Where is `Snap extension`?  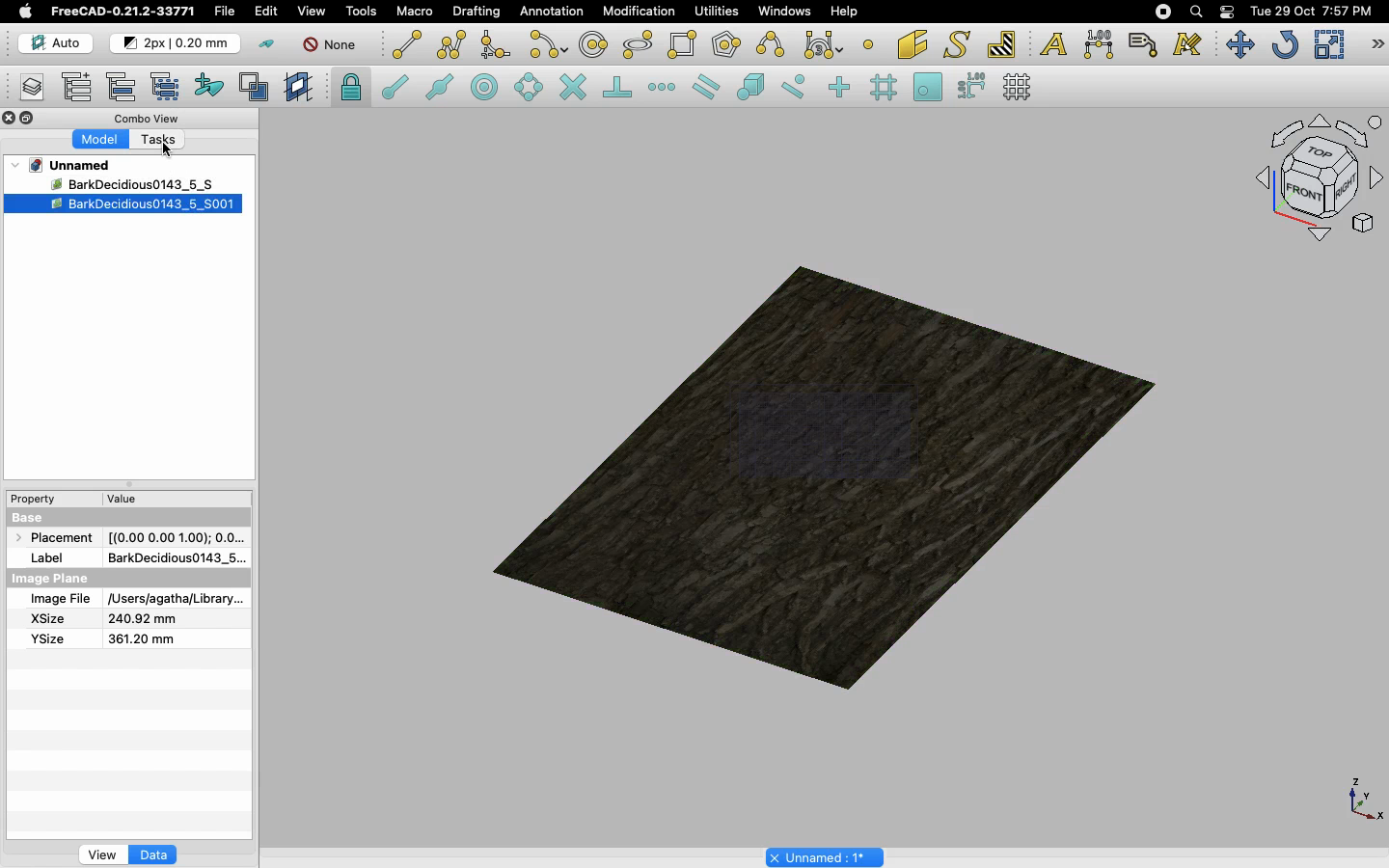 Snap extension is located at coordinates (664, 88).